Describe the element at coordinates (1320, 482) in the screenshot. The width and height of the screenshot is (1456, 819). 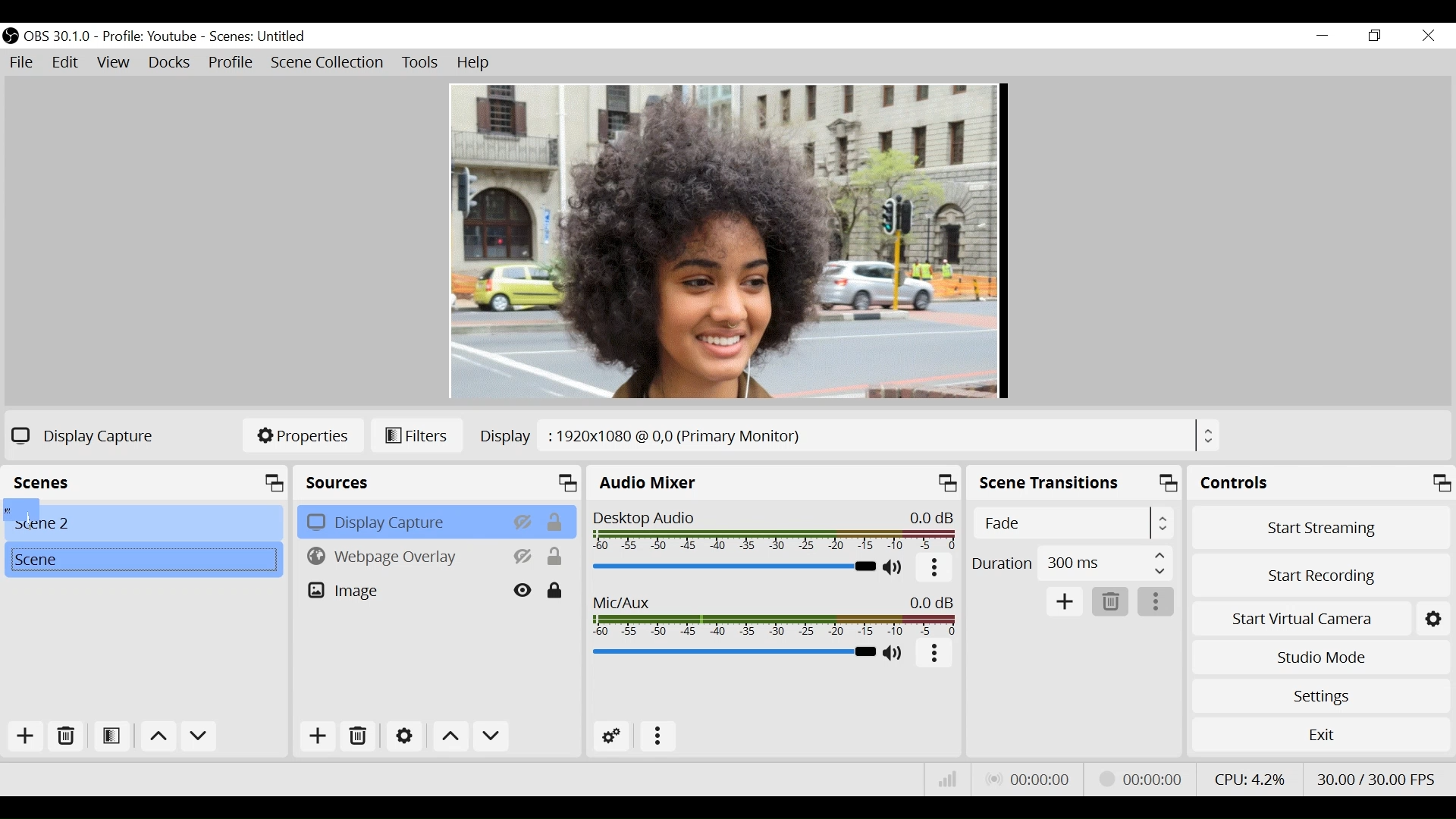
I see `Control` at that location.